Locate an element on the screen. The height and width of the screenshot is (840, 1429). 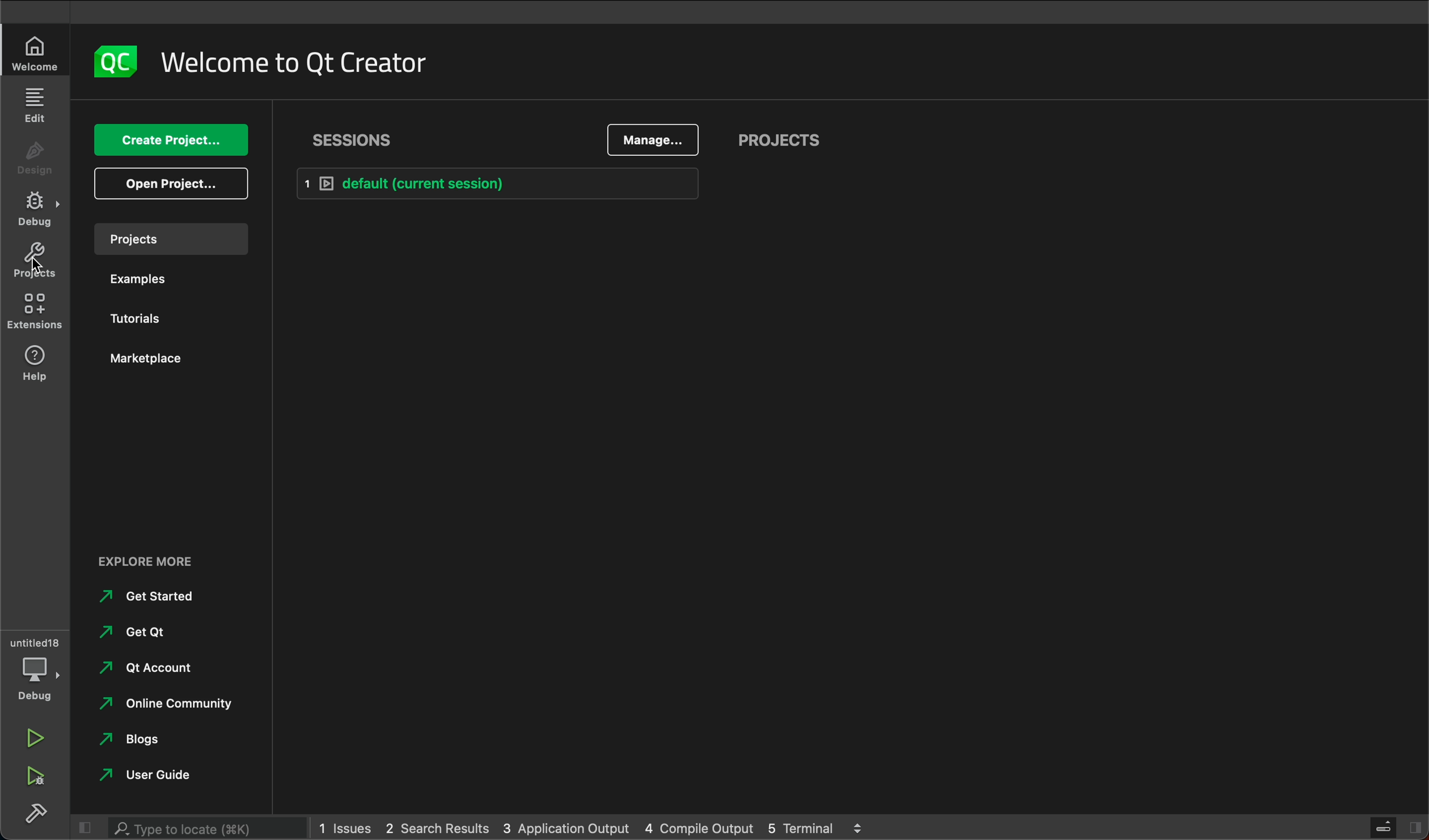
projects is located at coordinates (170, 239).